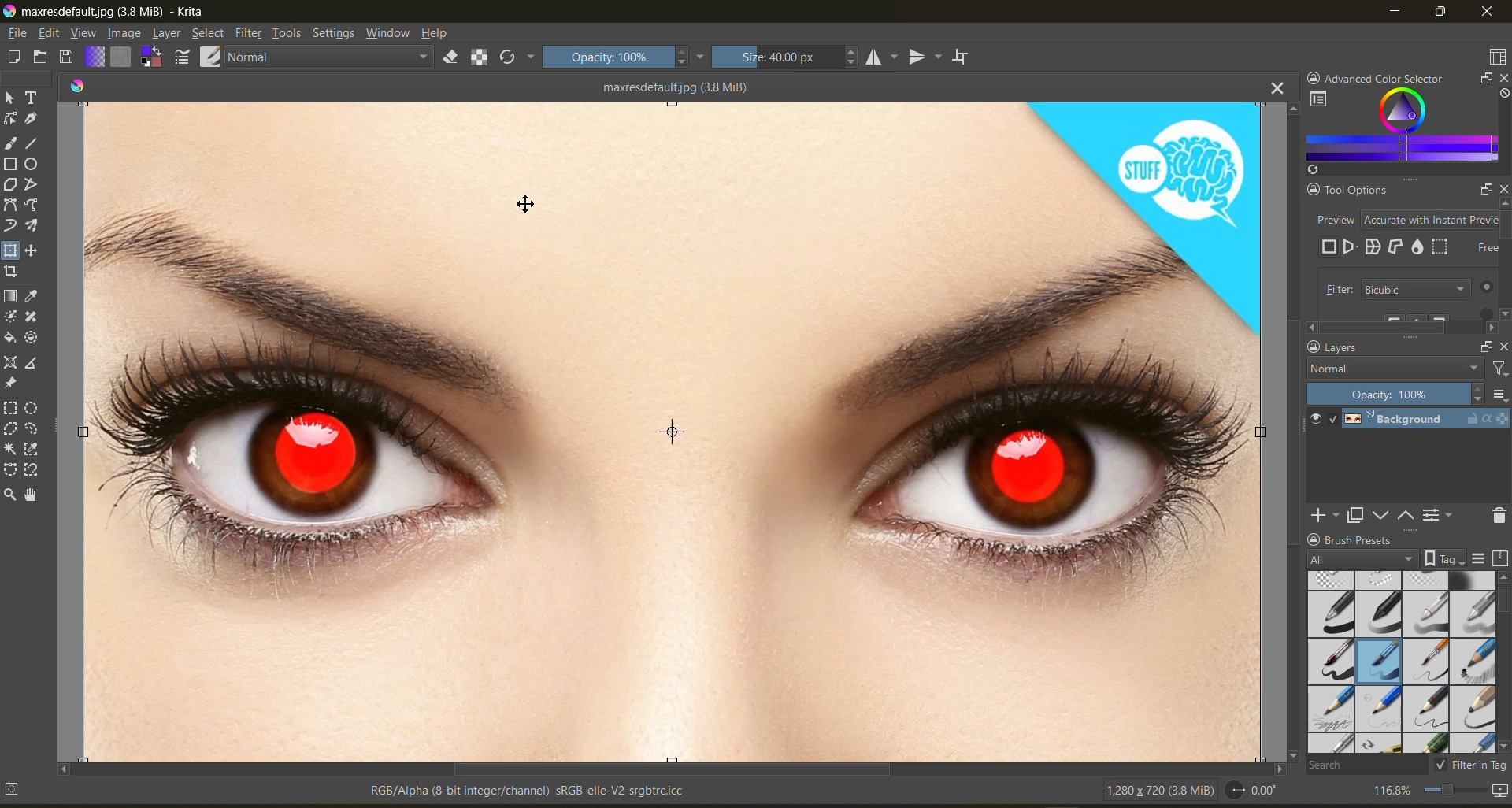  What do you see at coordinates (1331, 247) in the screenshot?
I see `free` at bounding box center [1331, 247].